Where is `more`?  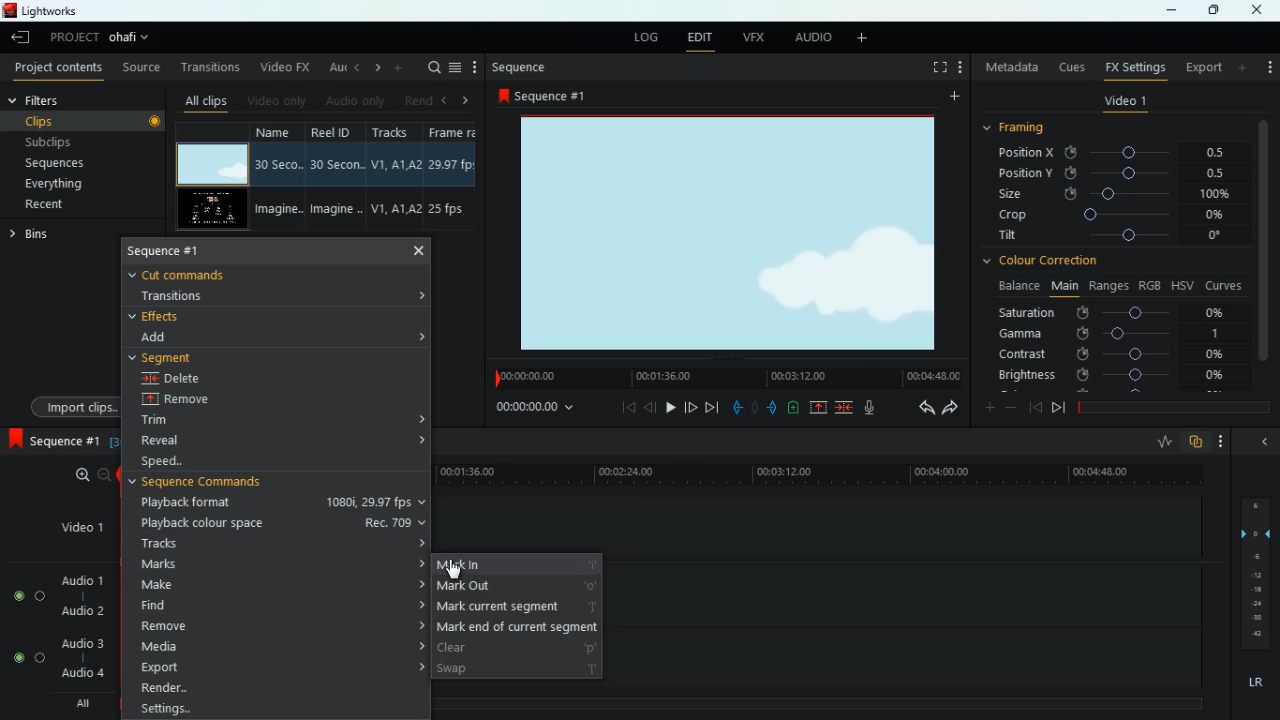 more is located at coordinates (990, 406).